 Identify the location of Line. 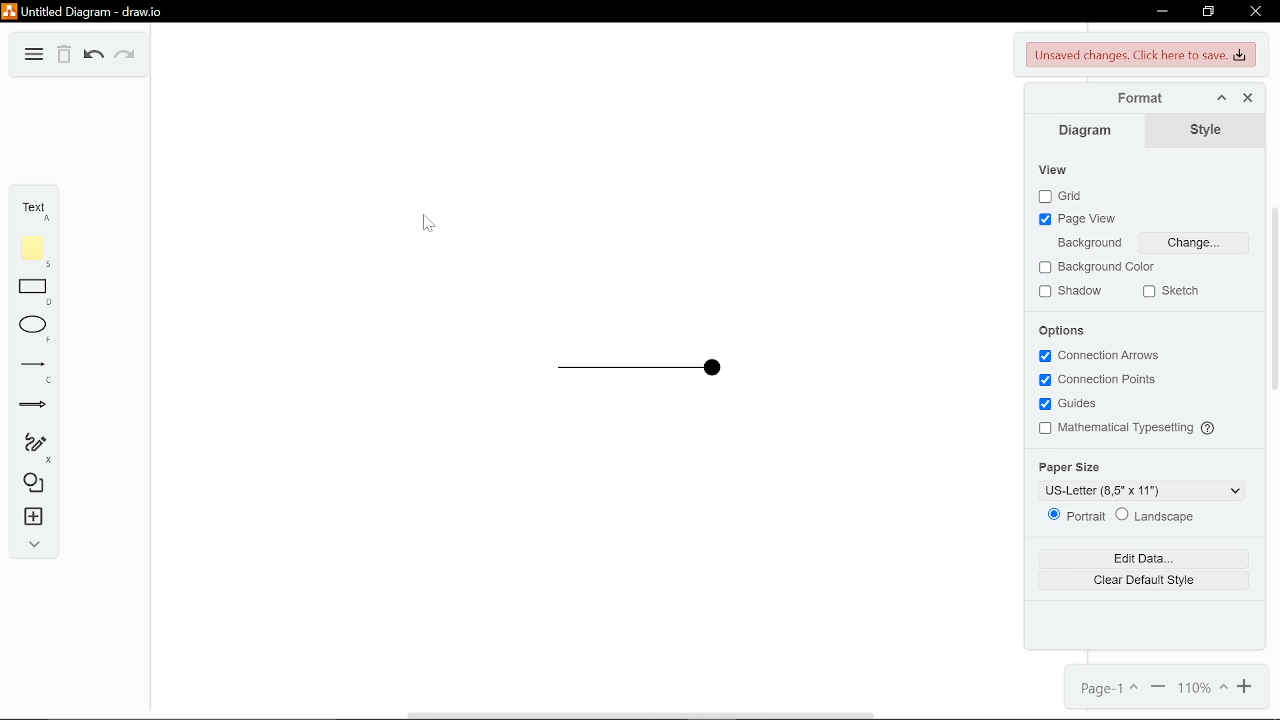
(33, 373).